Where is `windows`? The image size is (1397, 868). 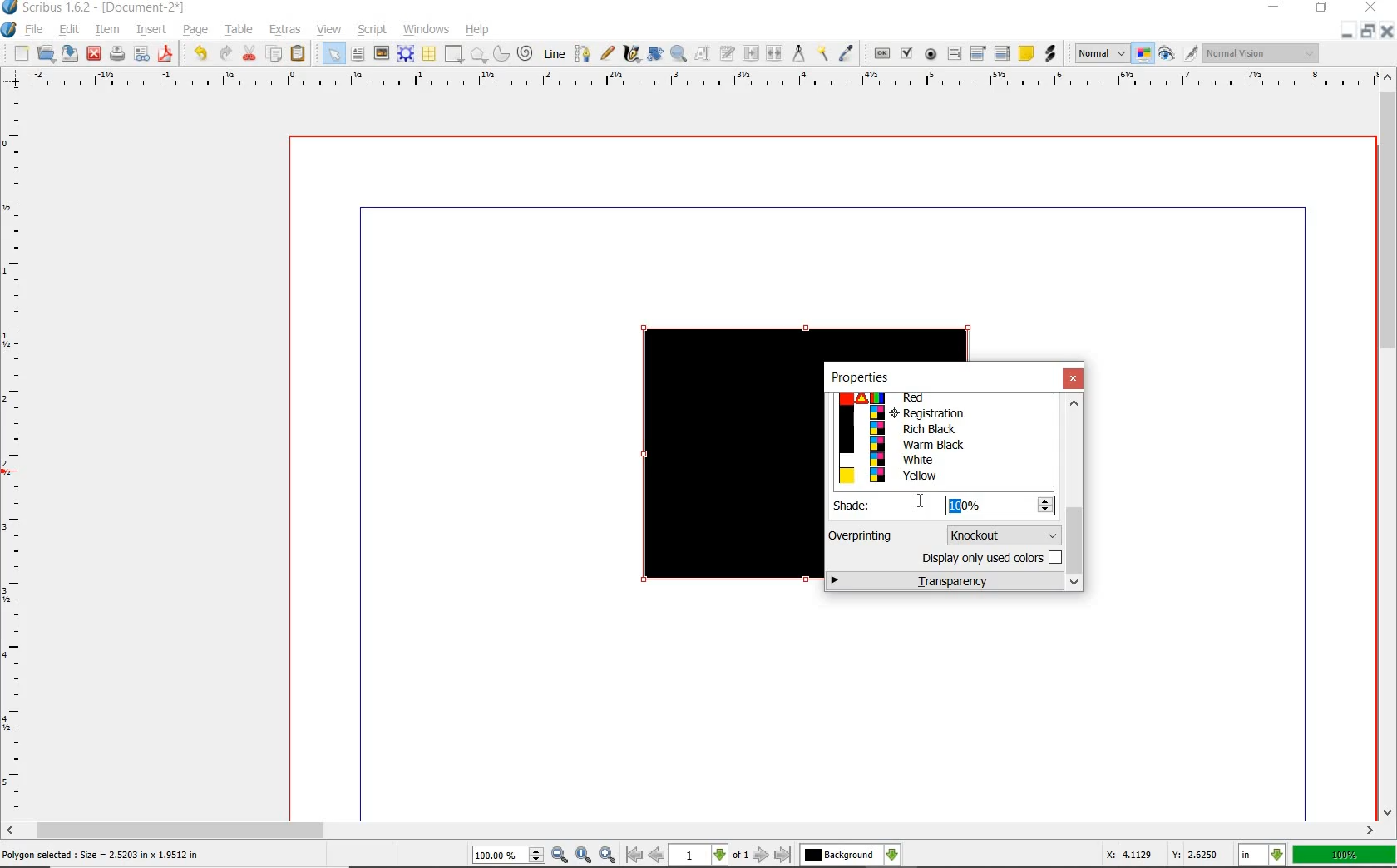 windows is located at coordinates (423, 29).